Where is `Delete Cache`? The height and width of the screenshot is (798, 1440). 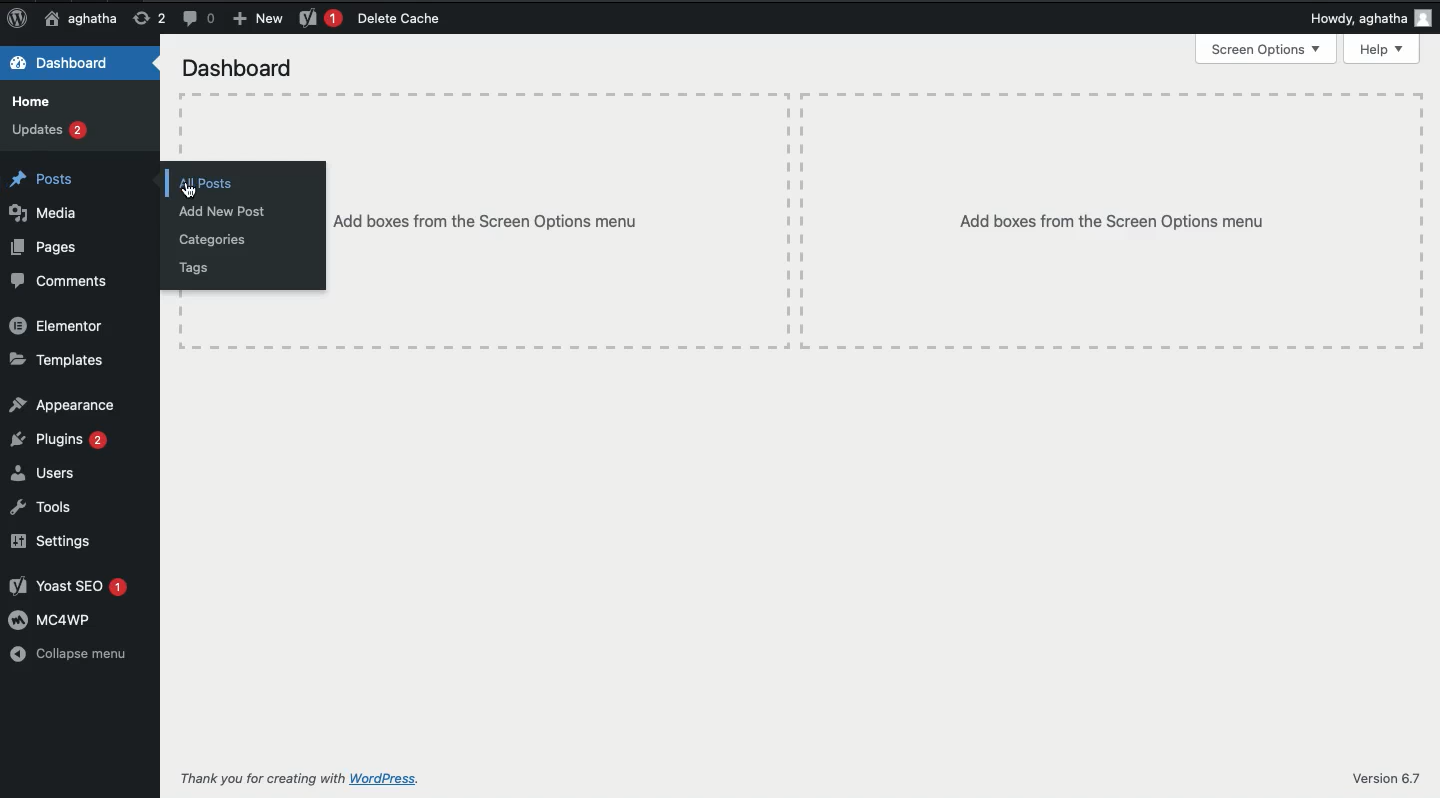 Delete Cache is located at coordinates (401, 17).